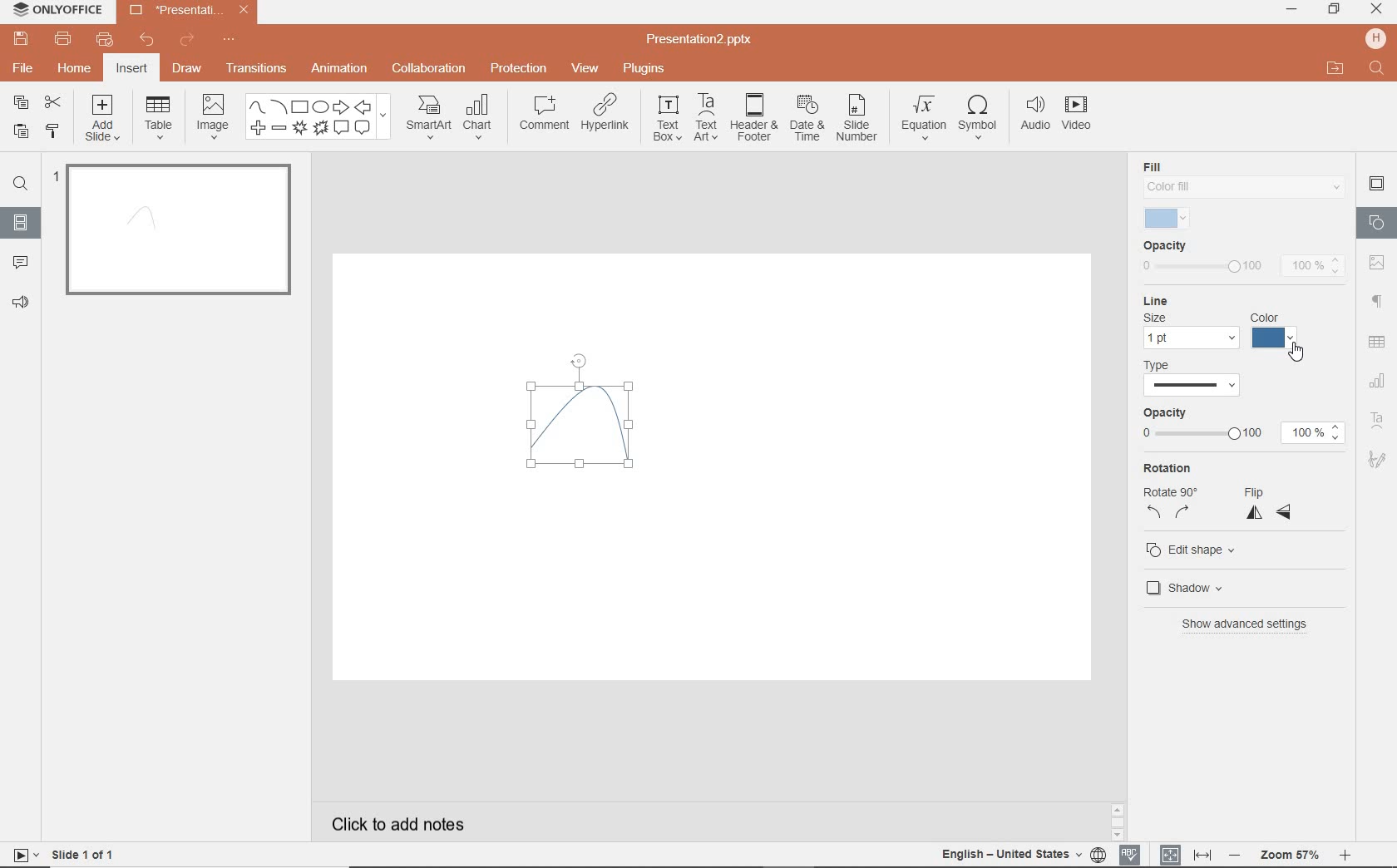  Describe the element at coordinates (1378, 223) in the screenshot. I see `SHAPE SETTINGS` at that location.